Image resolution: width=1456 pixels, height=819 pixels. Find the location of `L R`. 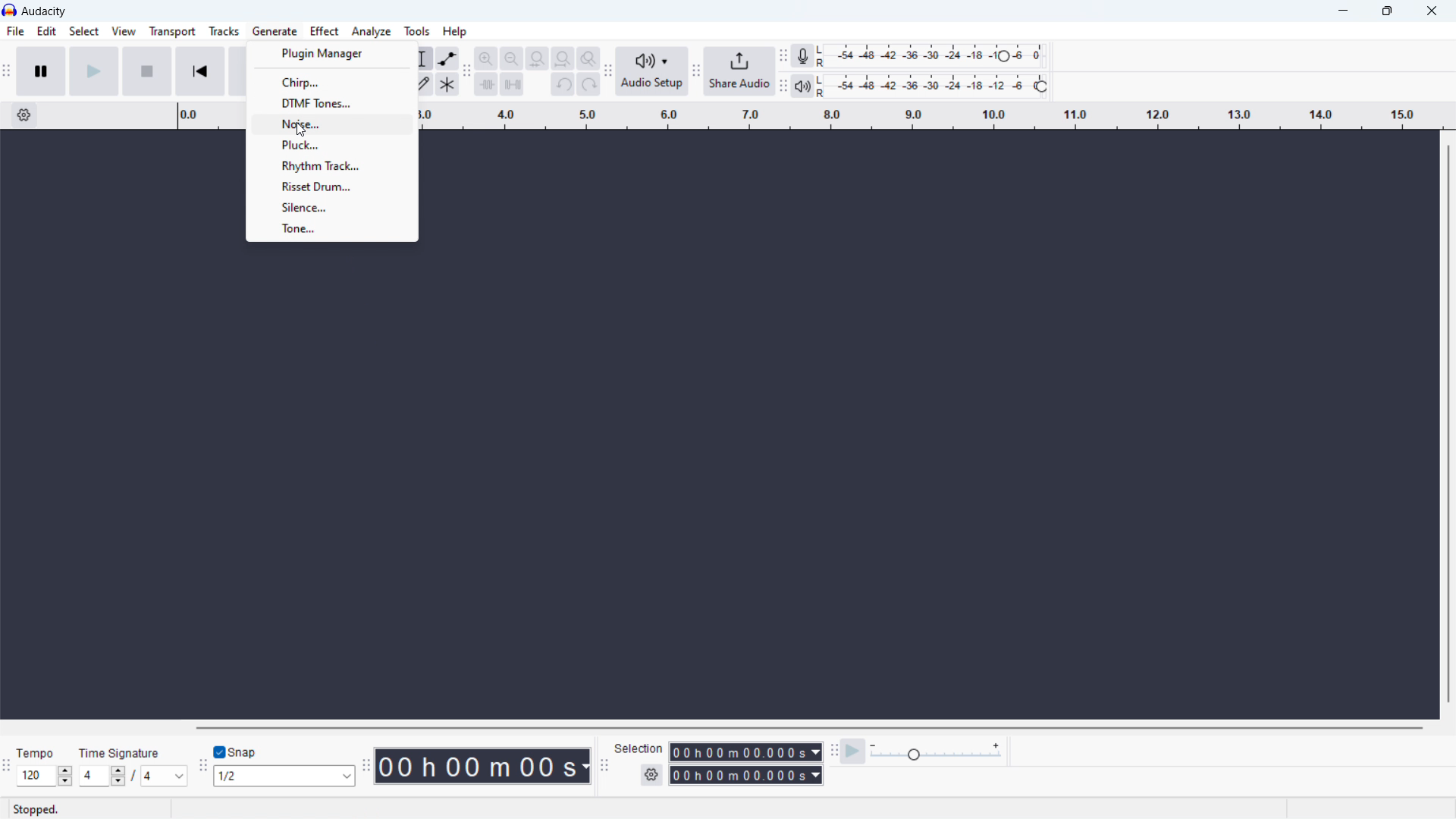

L R is located at coordinates (822, 71).